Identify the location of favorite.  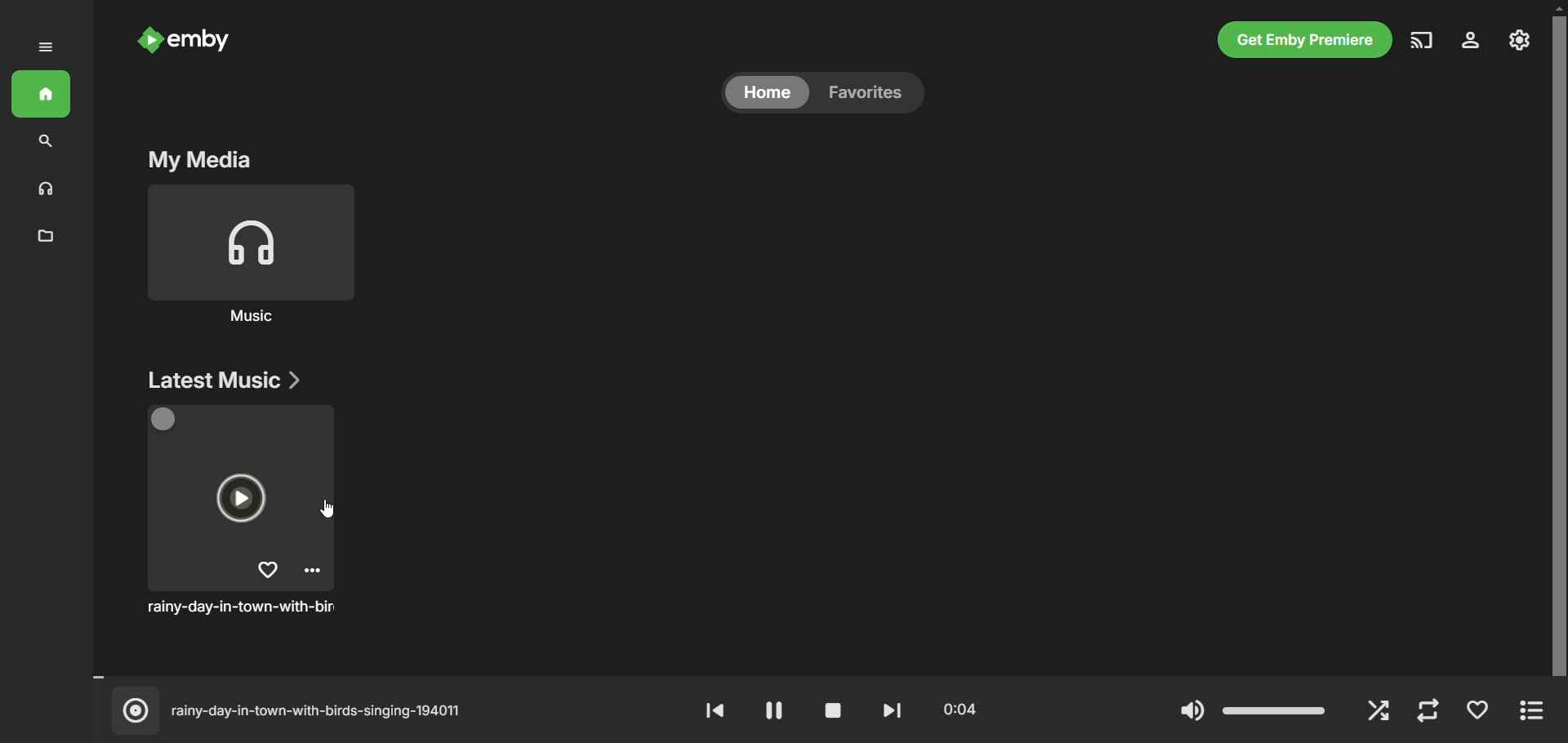
(268, 570).